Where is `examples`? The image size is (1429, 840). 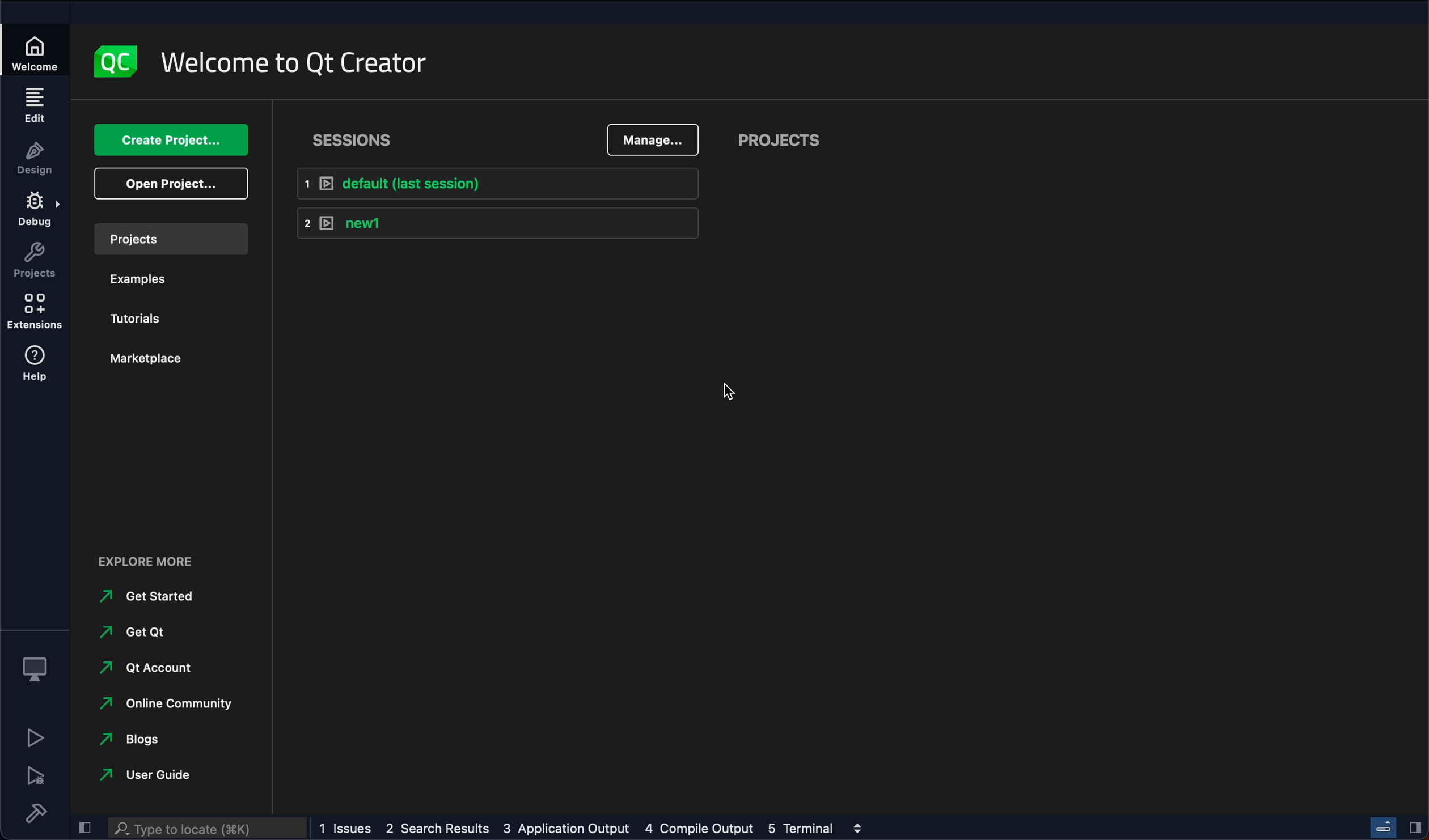
examples is located at coordinates (145, 282).